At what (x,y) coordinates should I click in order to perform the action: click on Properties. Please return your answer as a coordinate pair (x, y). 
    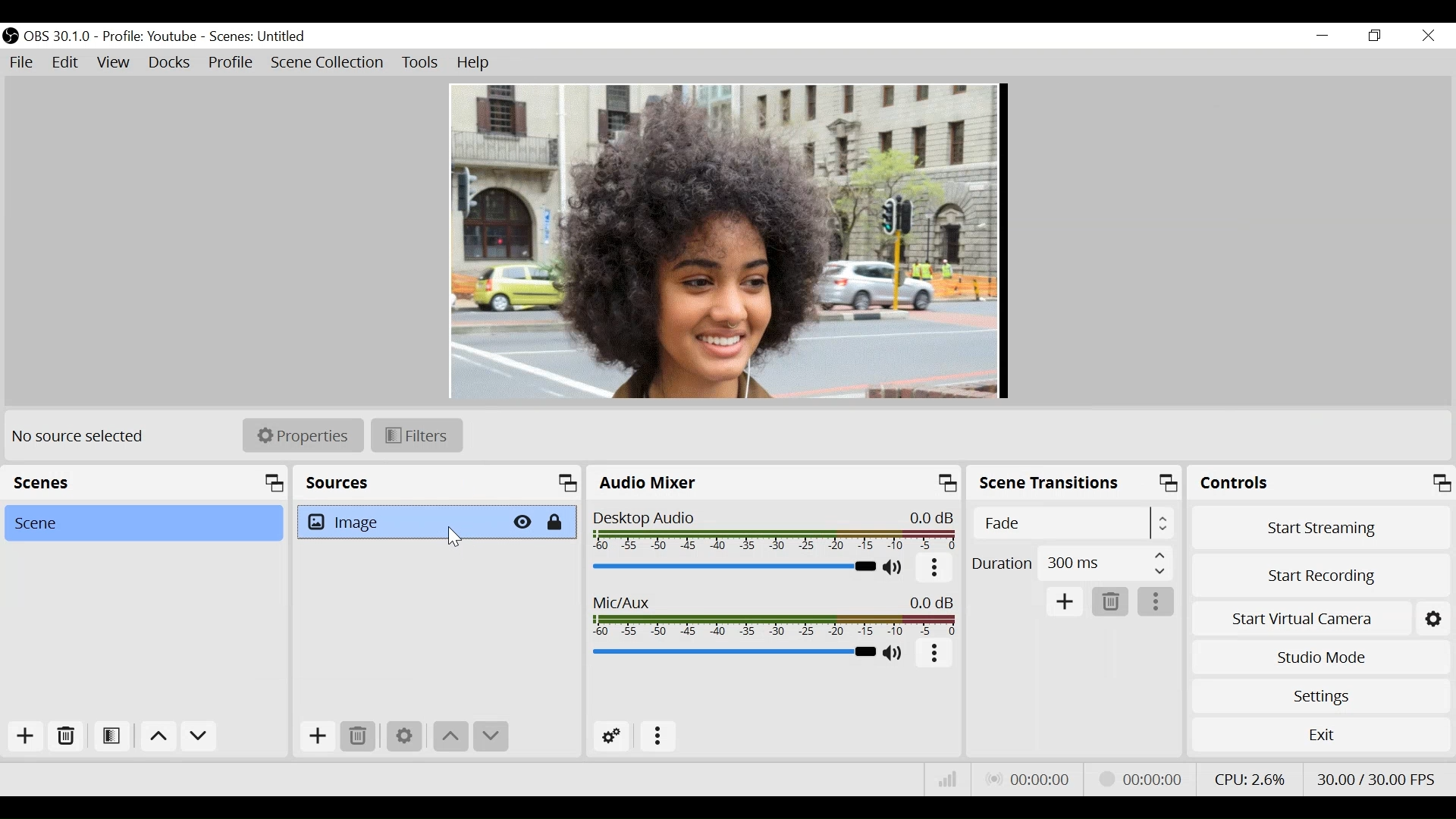
    Looking at the image, I should click on (303, 436).